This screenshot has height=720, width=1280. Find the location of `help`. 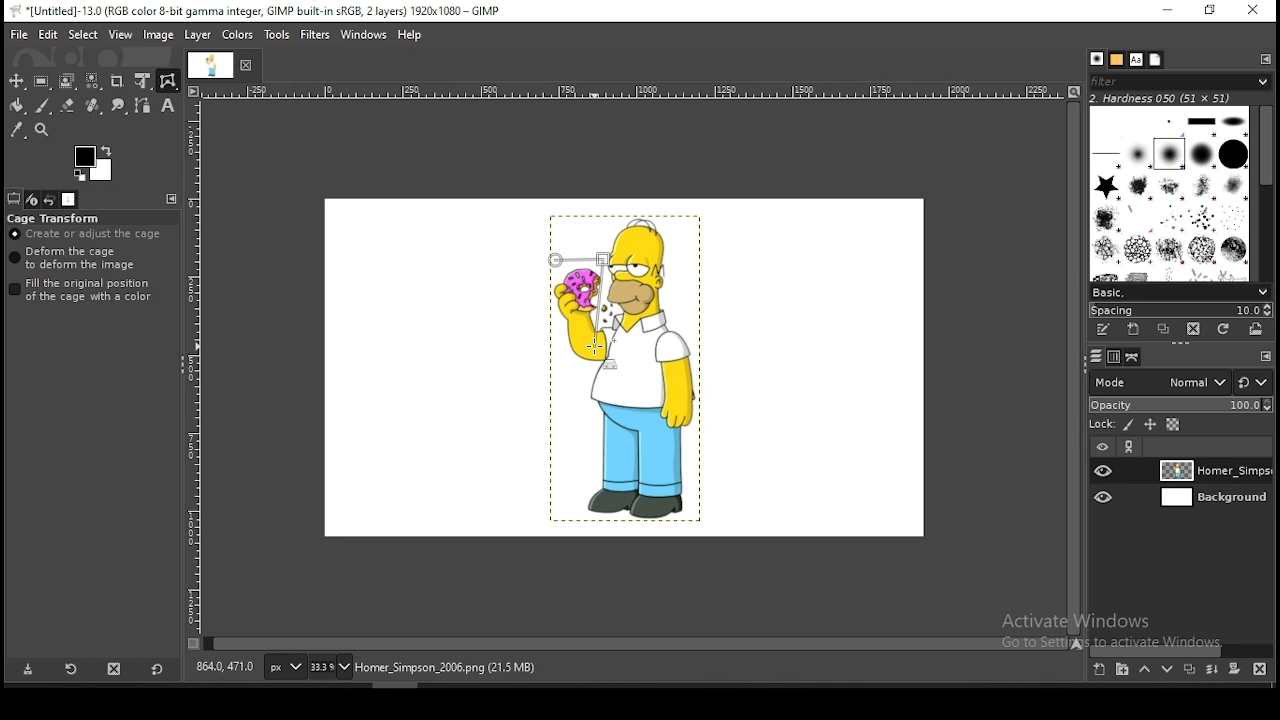

help is located at coordinates (410, 35).